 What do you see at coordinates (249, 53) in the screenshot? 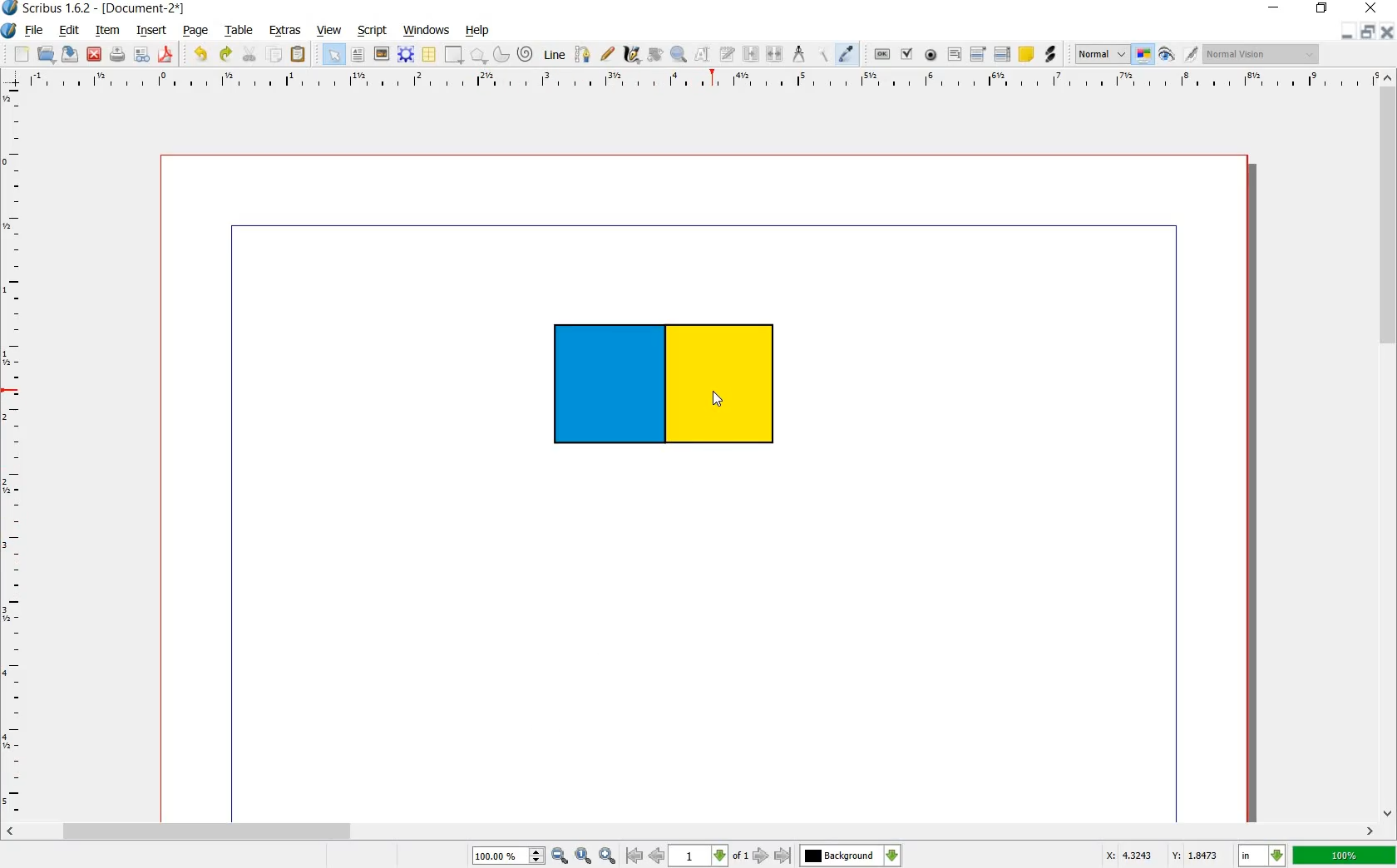
I see `cut` at bounding box center [249, 53].